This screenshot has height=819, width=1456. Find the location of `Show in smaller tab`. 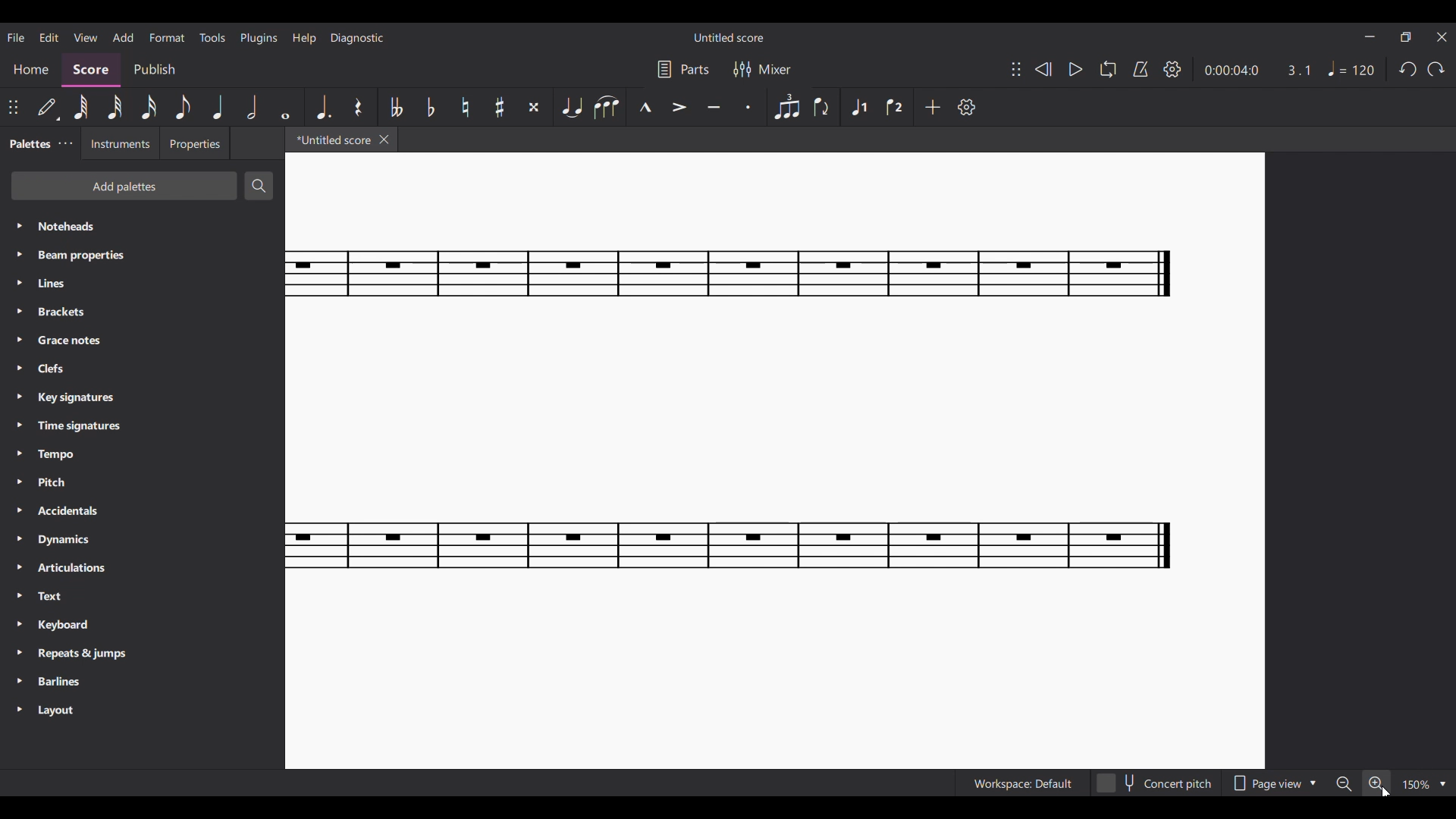

Show in smaller tab is located at coordinates (1406, 37).